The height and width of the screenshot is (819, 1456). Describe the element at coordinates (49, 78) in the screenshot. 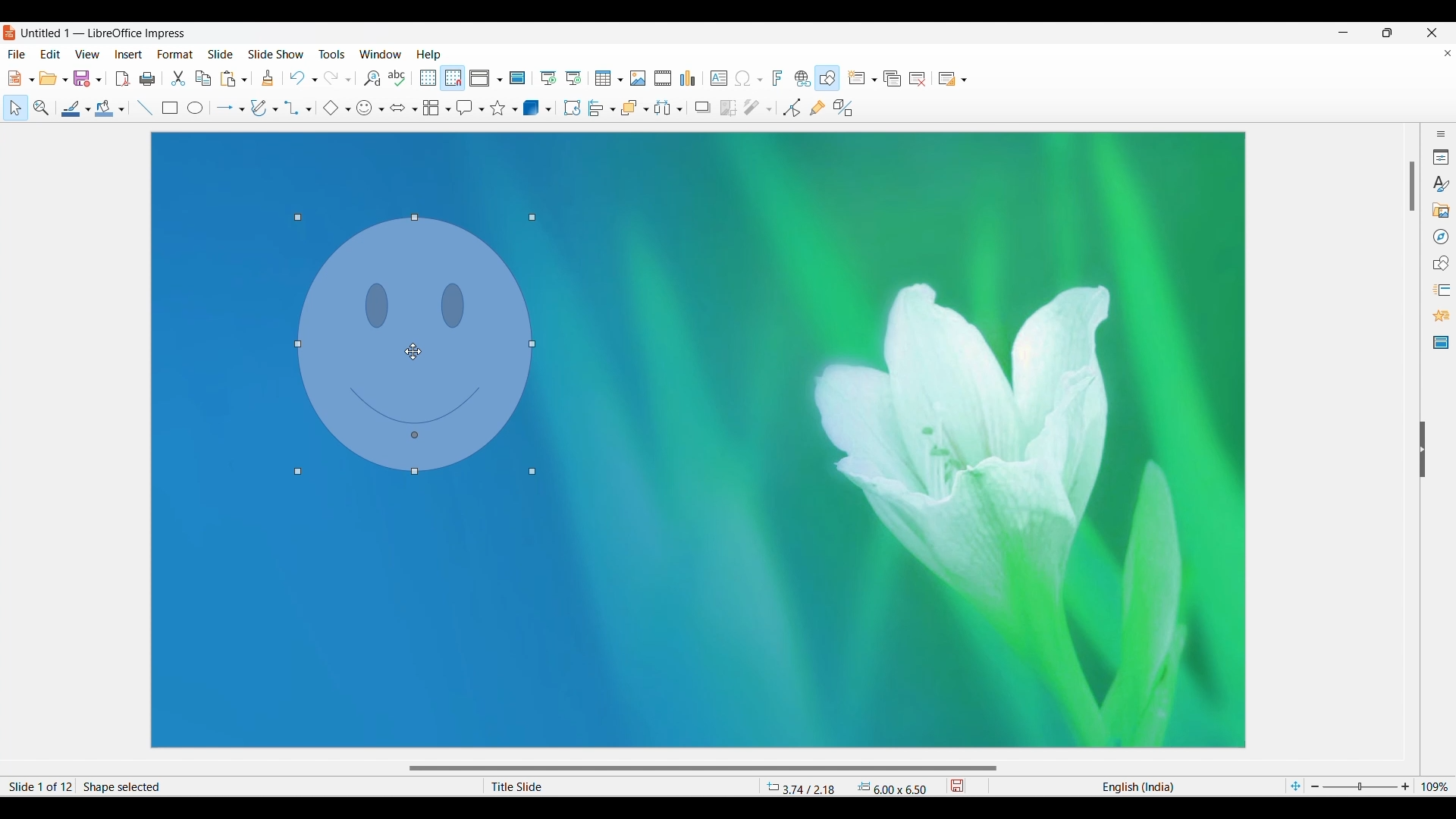

I see `Open` at that location.